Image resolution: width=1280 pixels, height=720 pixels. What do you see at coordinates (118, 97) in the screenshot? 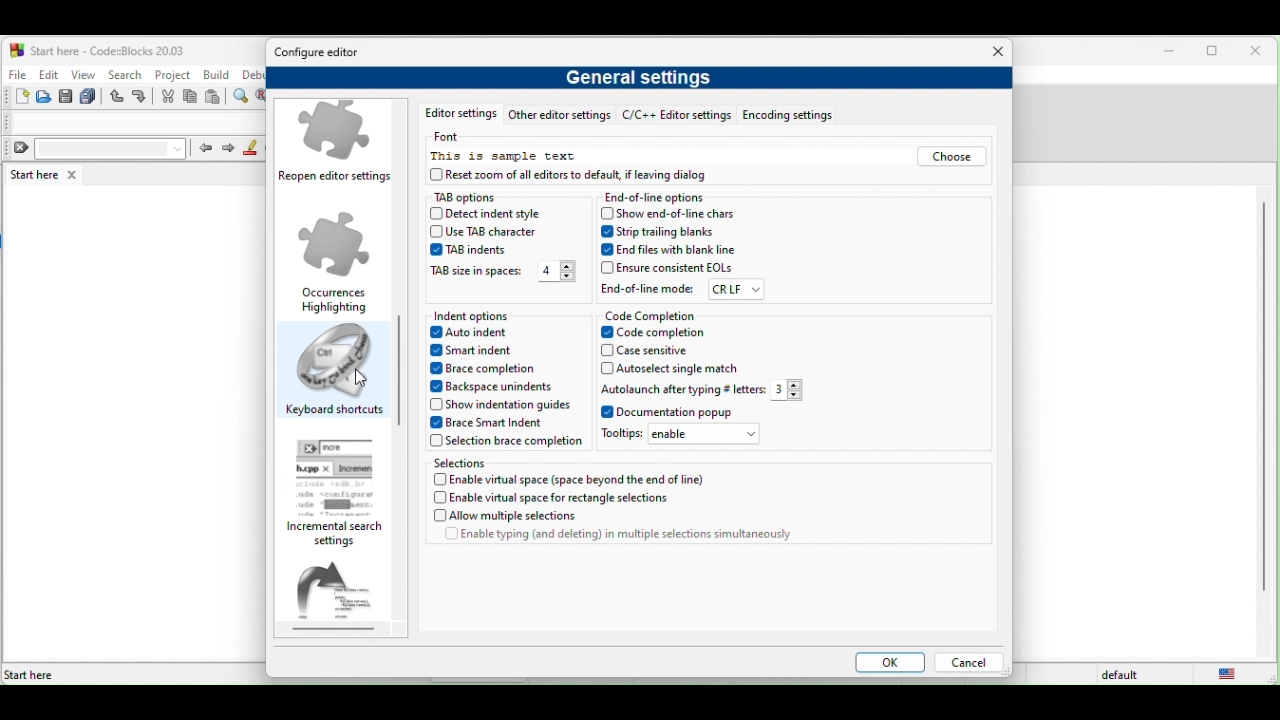
I see `undo` at bounding box center [118, 97].